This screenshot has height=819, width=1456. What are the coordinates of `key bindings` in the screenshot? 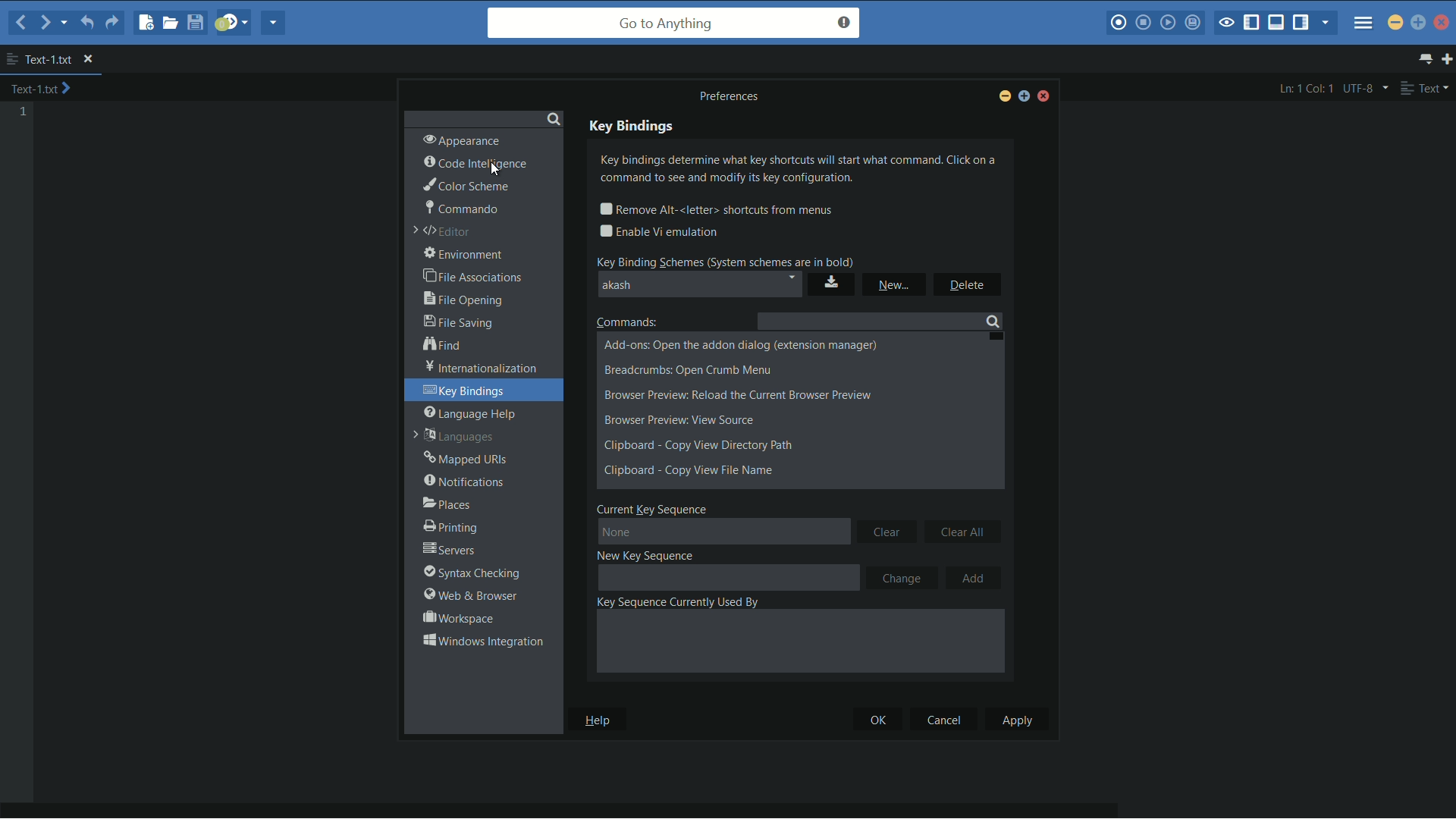 It's located at (632, 127).